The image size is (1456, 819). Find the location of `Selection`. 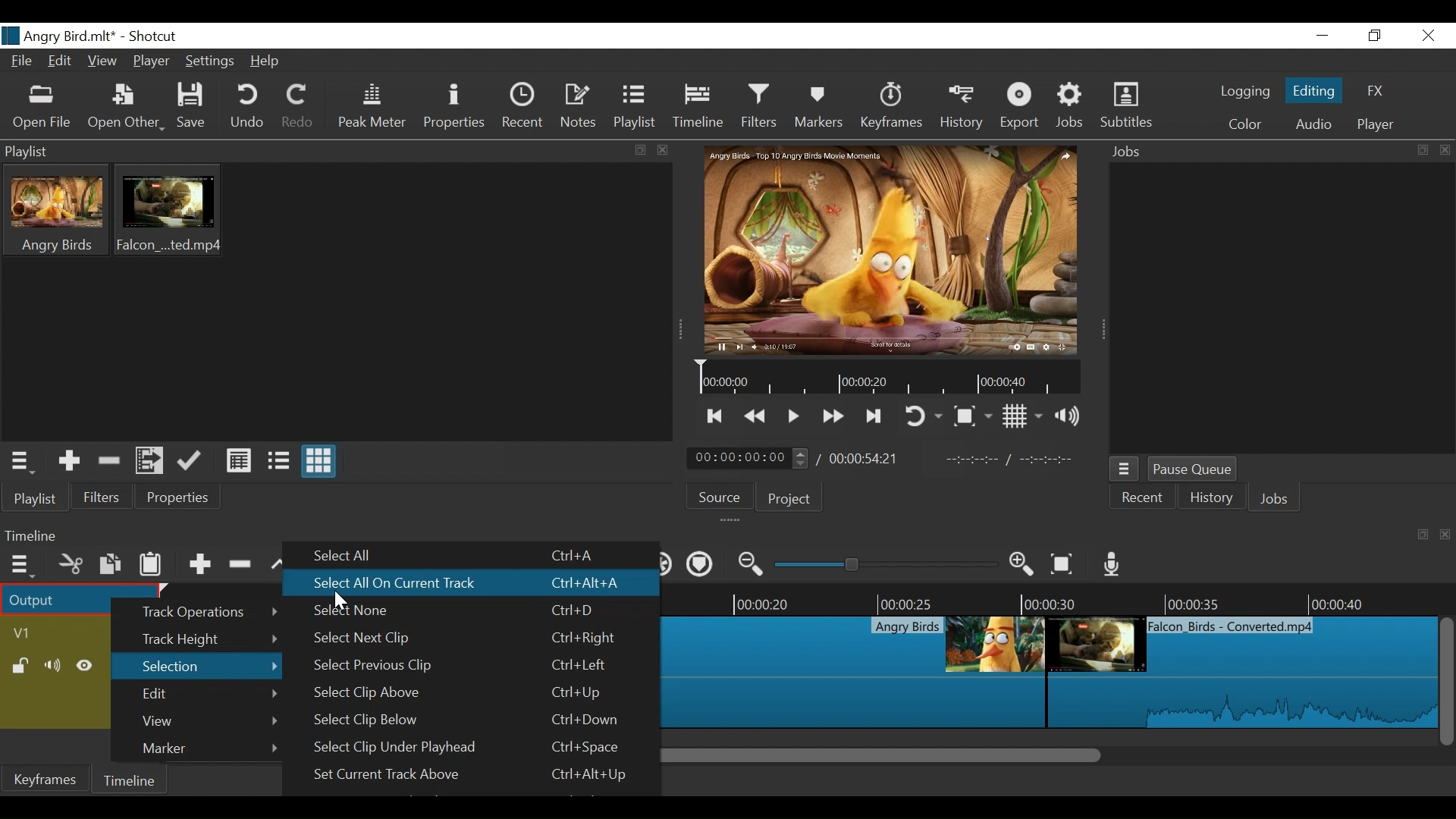

Selection is located at coordinates (197, 665).